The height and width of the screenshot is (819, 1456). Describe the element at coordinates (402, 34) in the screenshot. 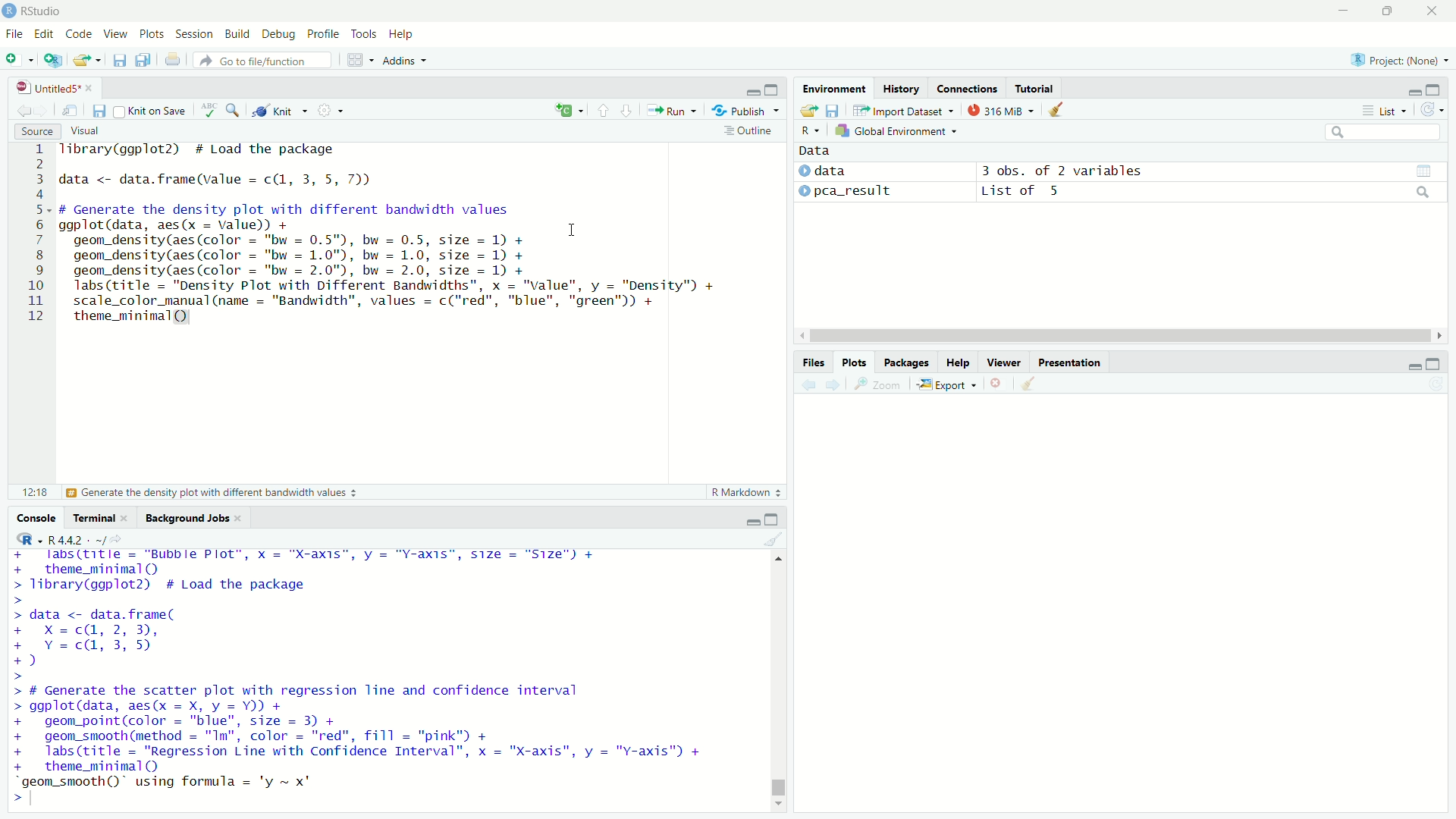

I see `Help` at that location.